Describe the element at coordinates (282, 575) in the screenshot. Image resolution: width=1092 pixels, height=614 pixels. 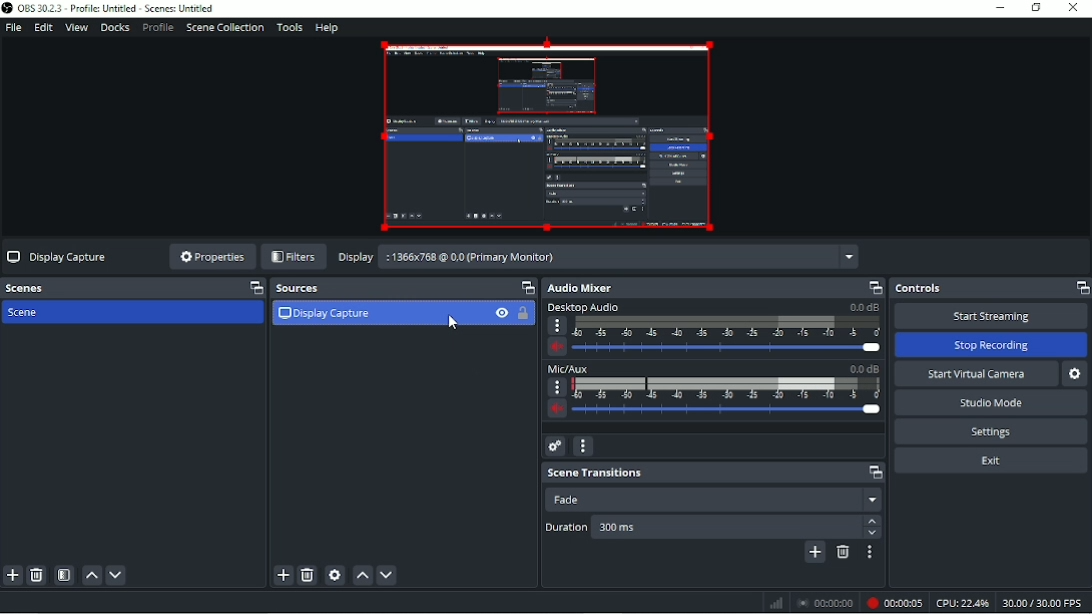
I see `Add source` at that location.